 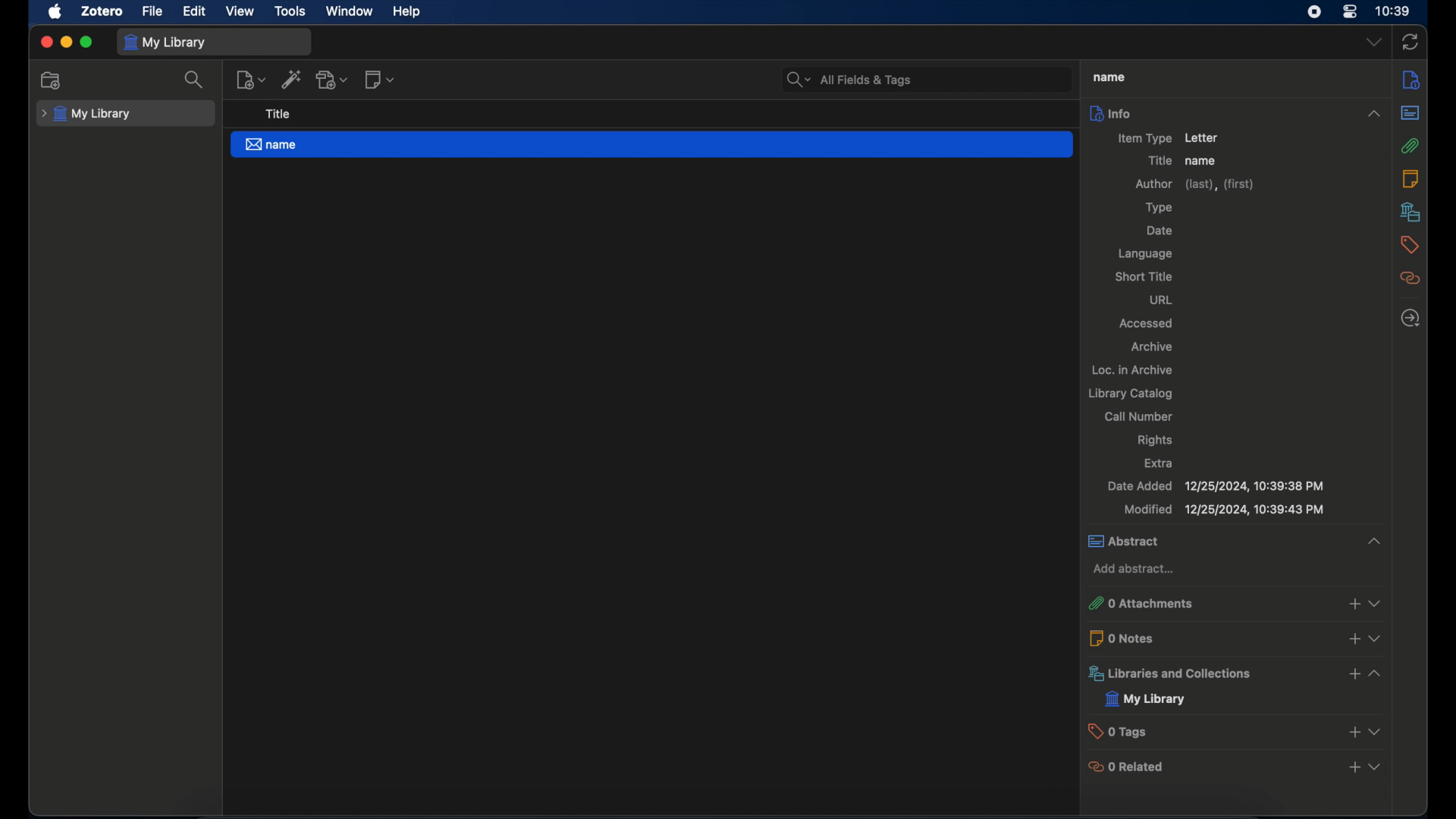 What do you see at coordinates (1163, 208) in the screenshot?
I see `type` at bounding box center [1163, 208].